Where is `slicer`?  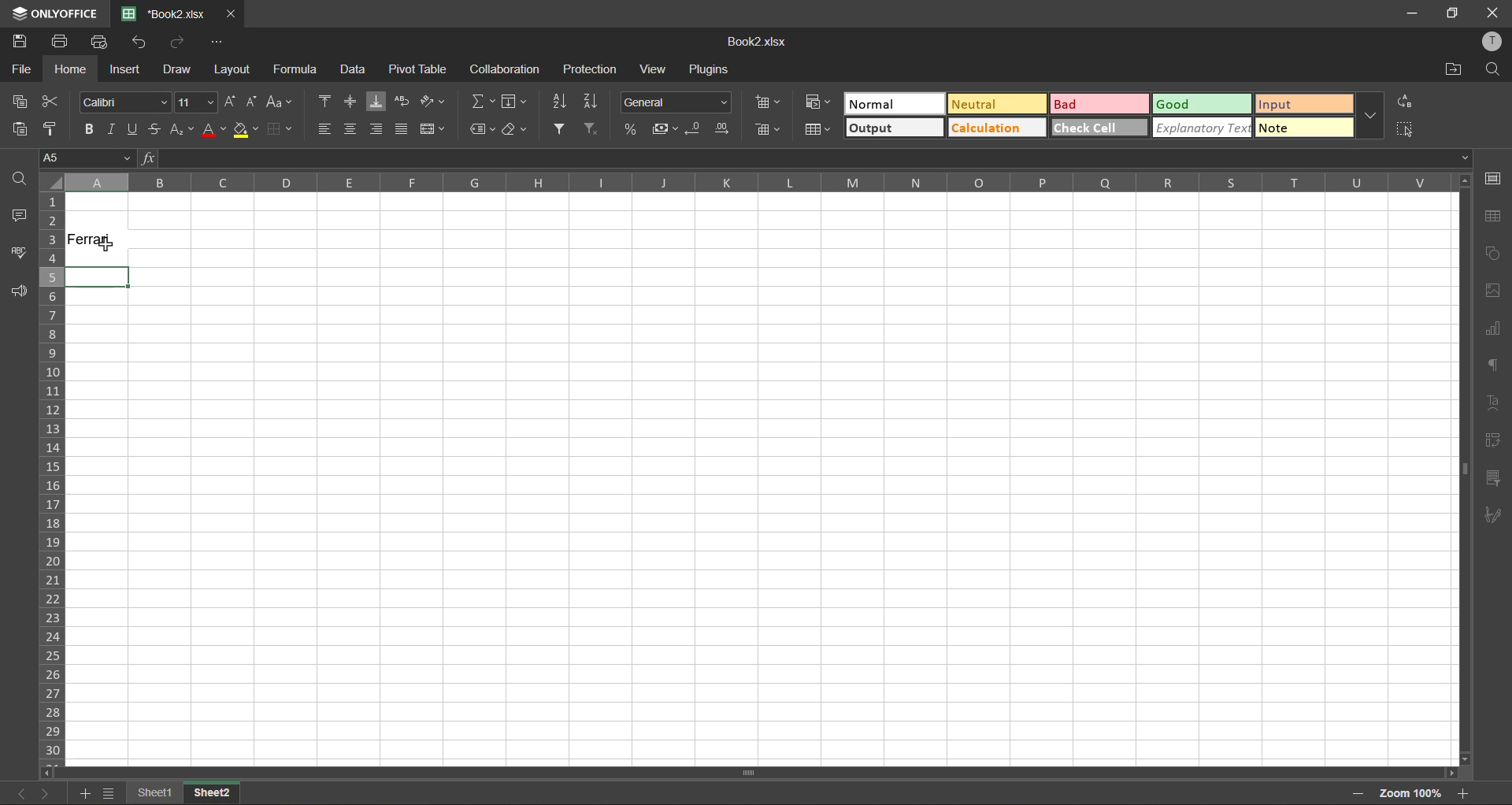
slicer is located at coordinates (1495, 476).